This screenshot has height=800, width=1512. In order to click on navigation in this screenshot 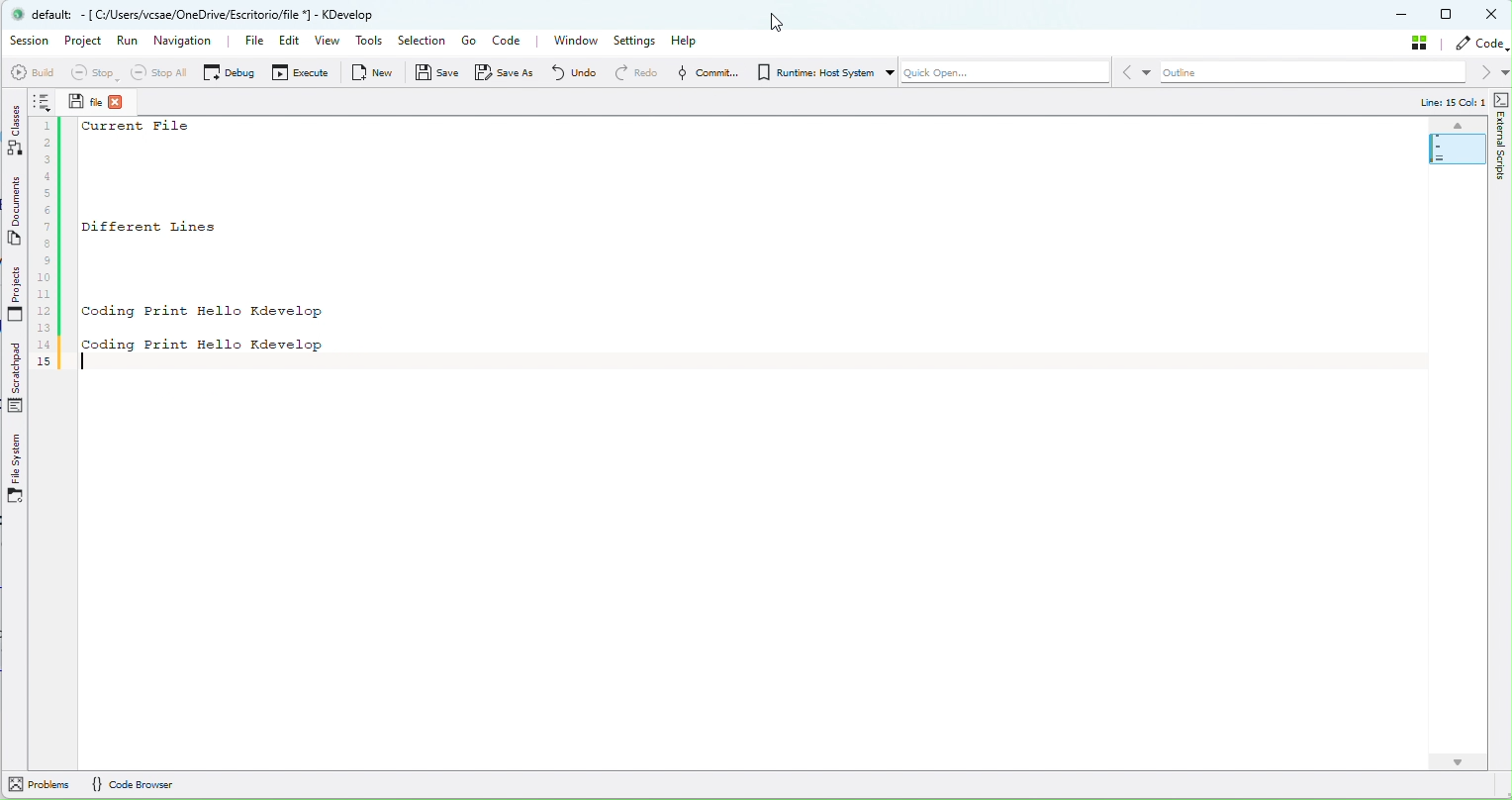, I will do `click(185, 40)`.